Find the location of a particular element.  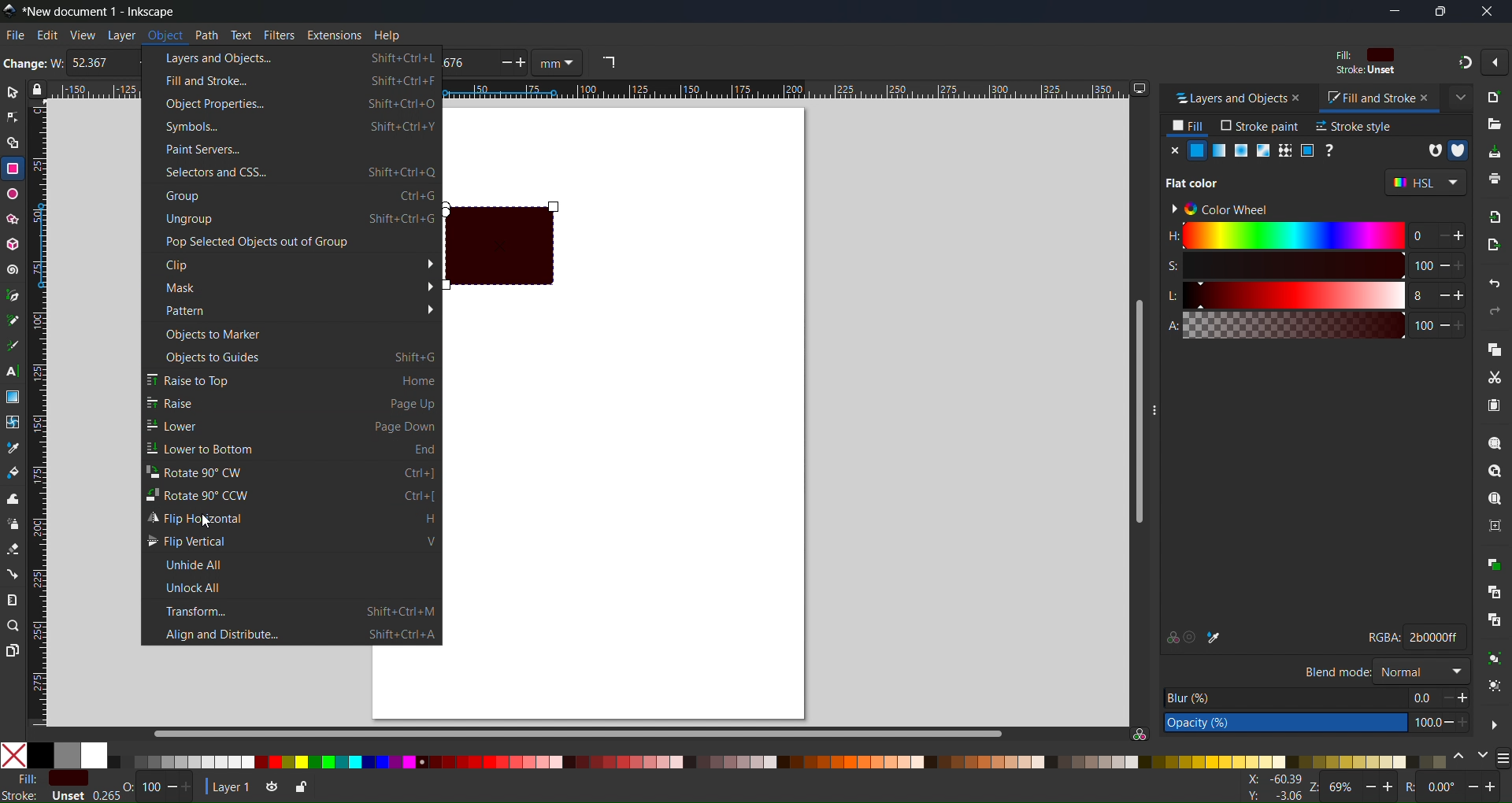

Pattern is located at coordinates (291, 309).